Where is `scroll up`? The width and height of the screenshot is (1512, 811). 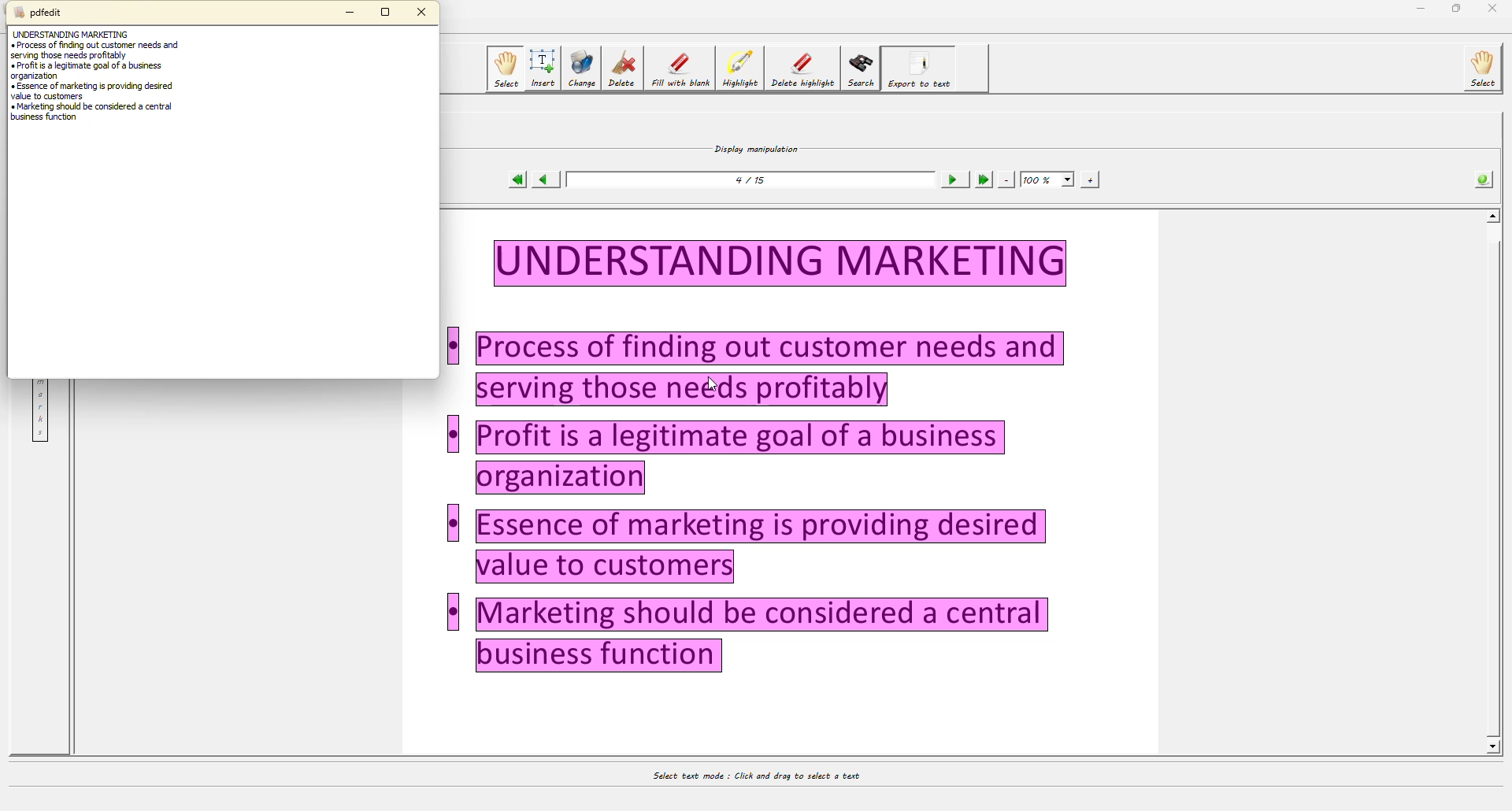 scroll up is located at coordinates (1490, 217).